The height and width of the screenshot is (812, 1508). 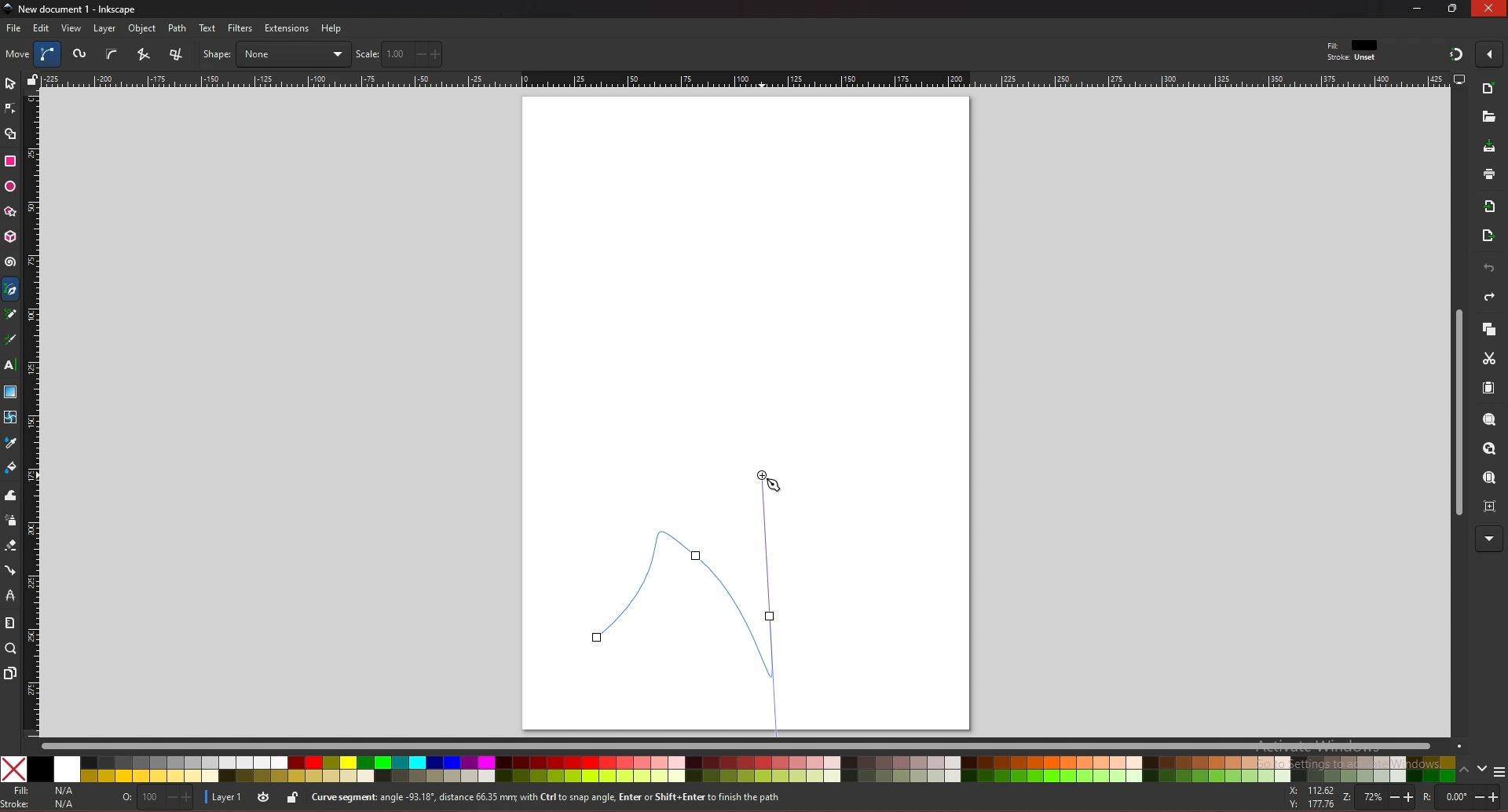 I want to click on import, so click(x=1493, y=207).